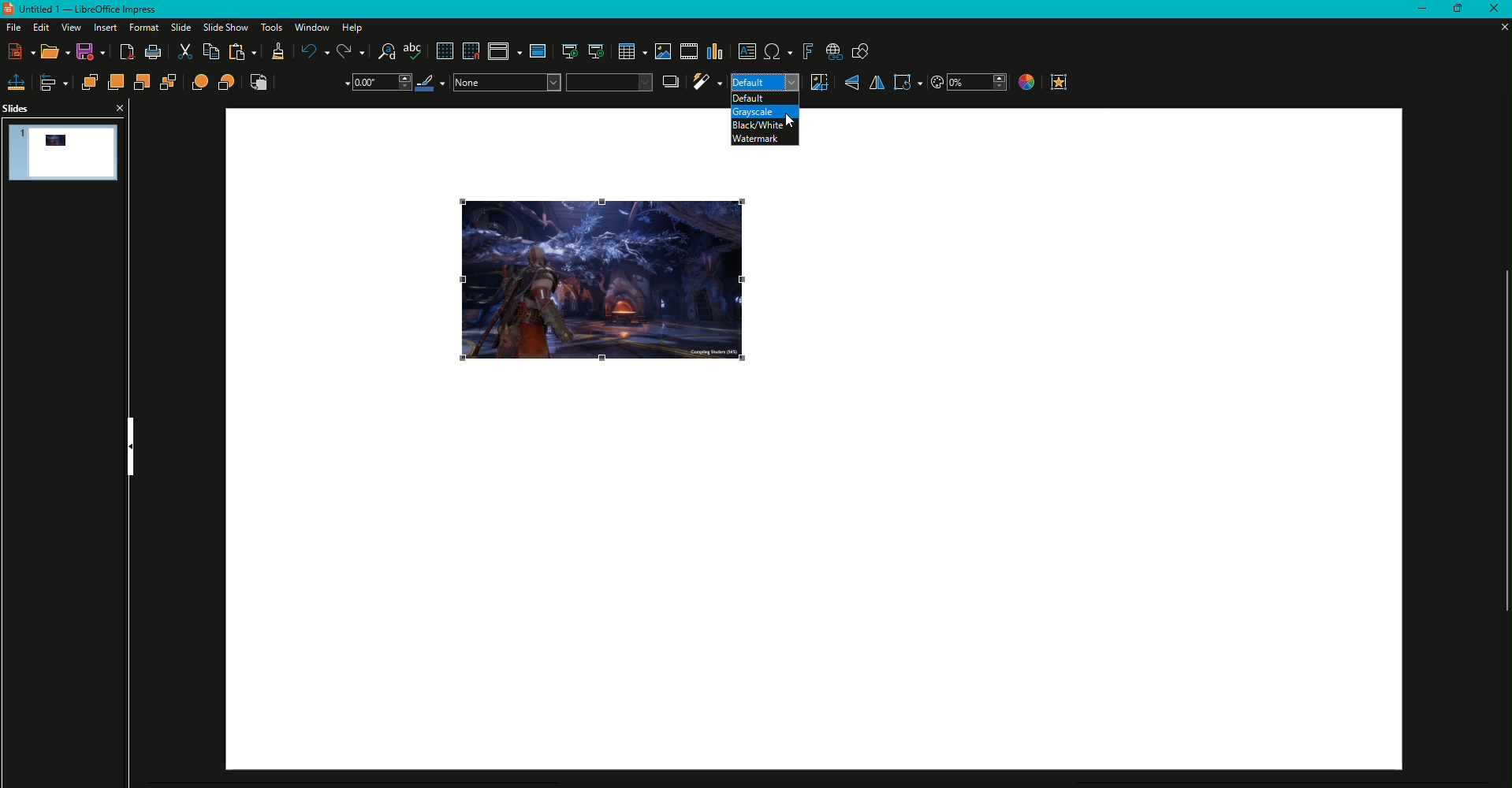 The width and height of the screenshot is (1512, 788). I want to click on Behind Object, so click(228, 82).